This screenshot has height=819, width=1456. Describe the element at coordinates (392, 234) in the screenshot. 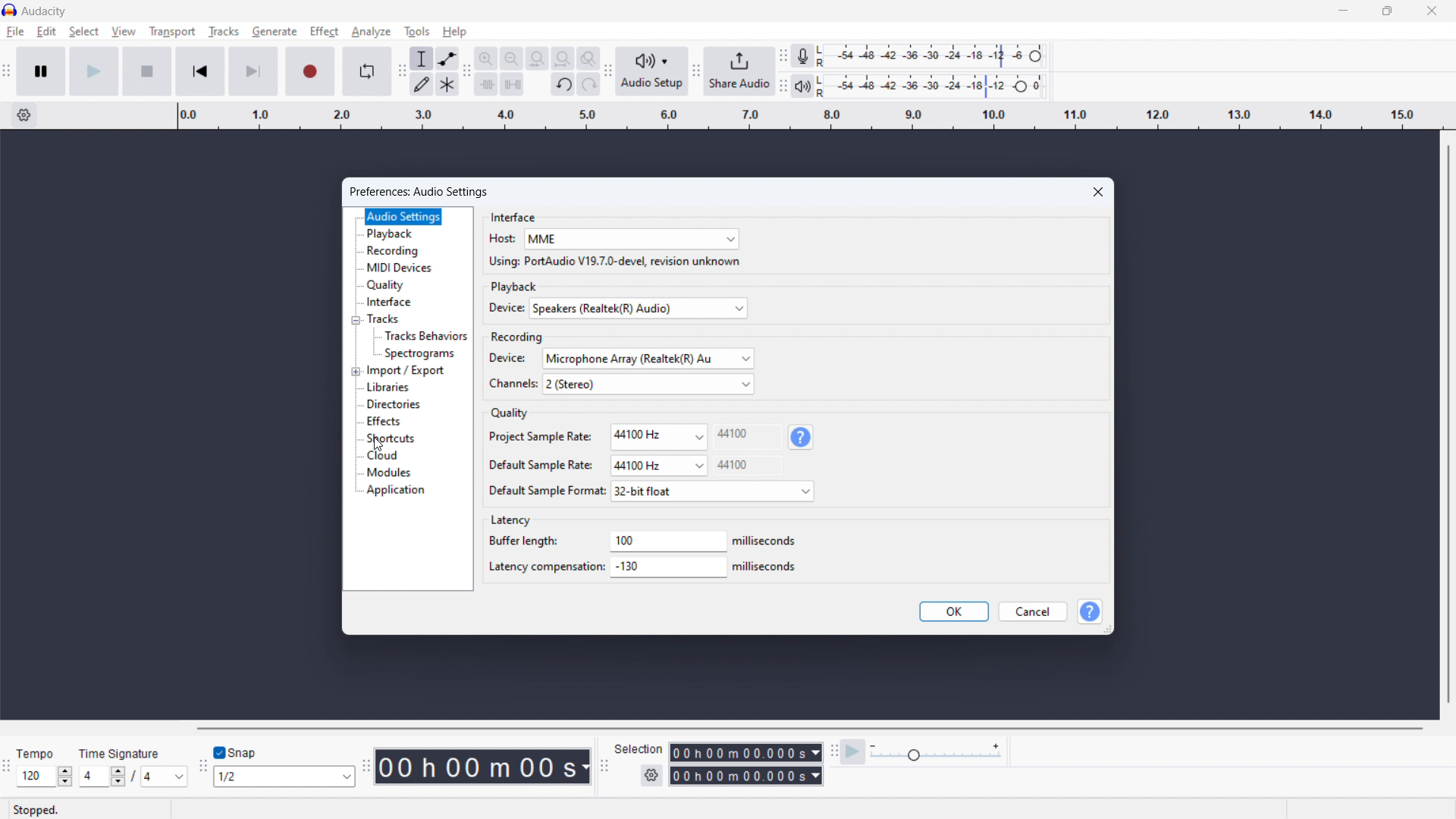

I see `playback` at that location.